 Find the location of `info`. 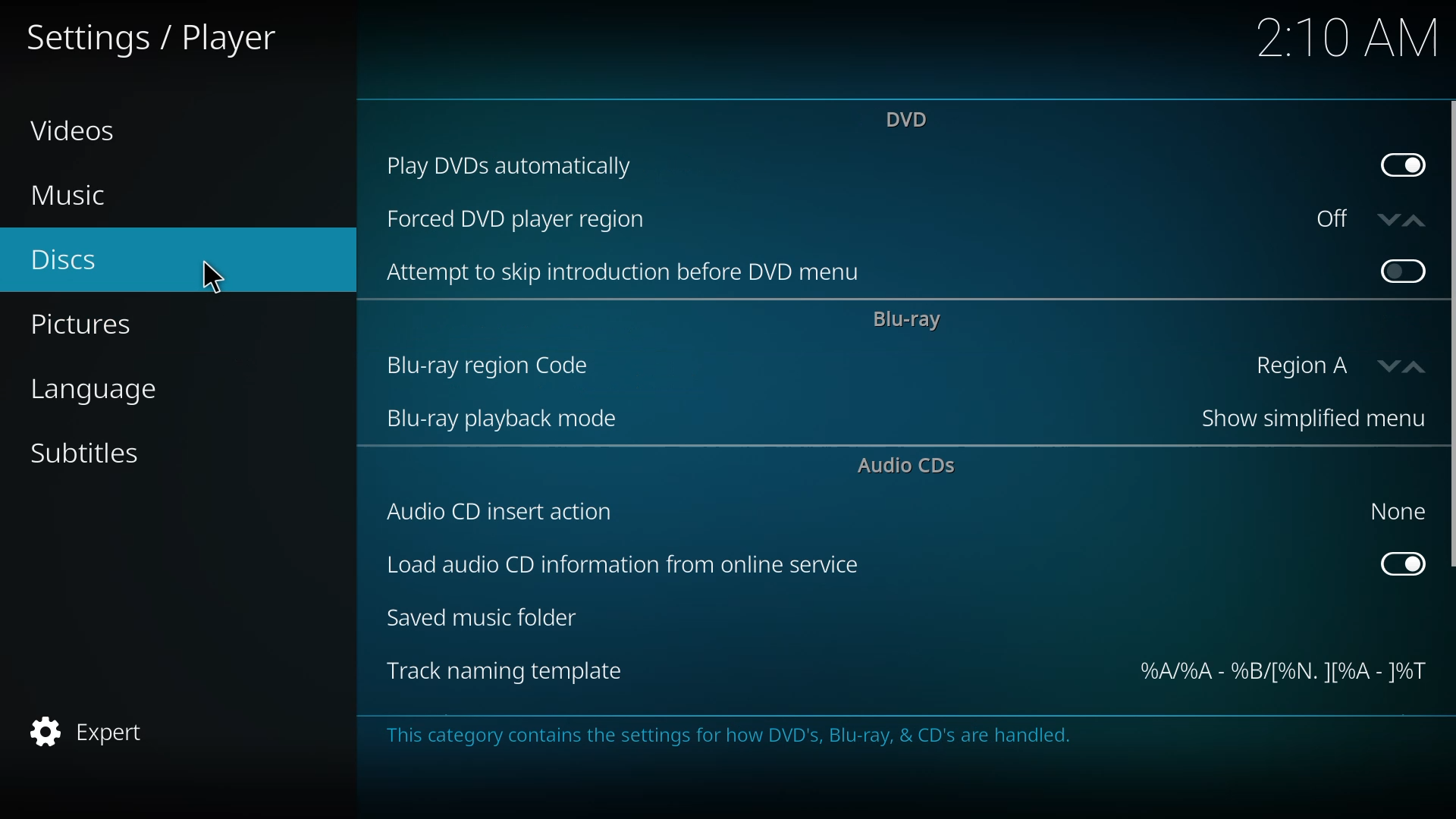

info is located at coordinates (730, 735).